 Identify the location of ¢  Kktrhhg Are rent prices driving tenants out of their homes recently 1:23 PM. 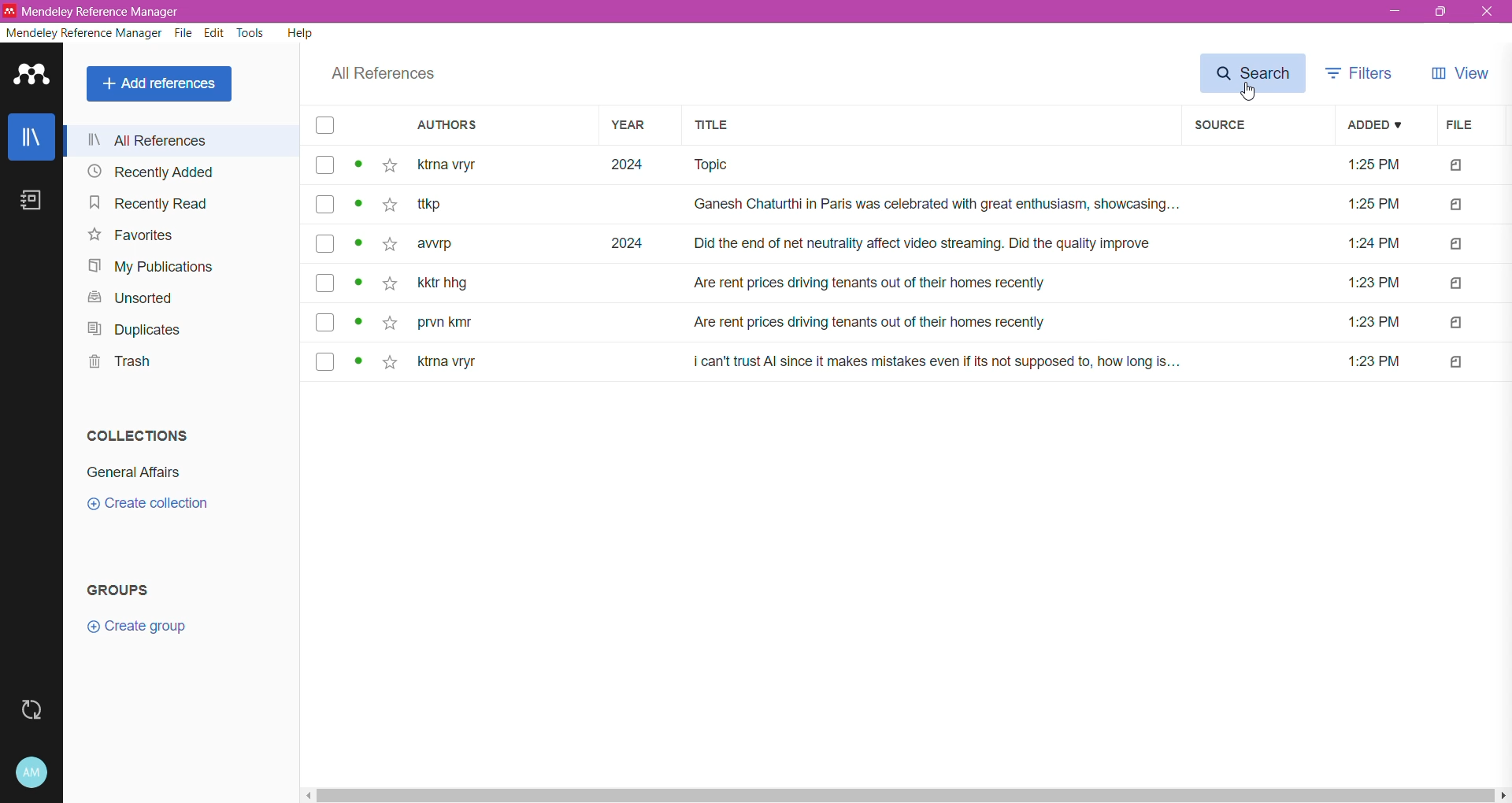
(915, 286).